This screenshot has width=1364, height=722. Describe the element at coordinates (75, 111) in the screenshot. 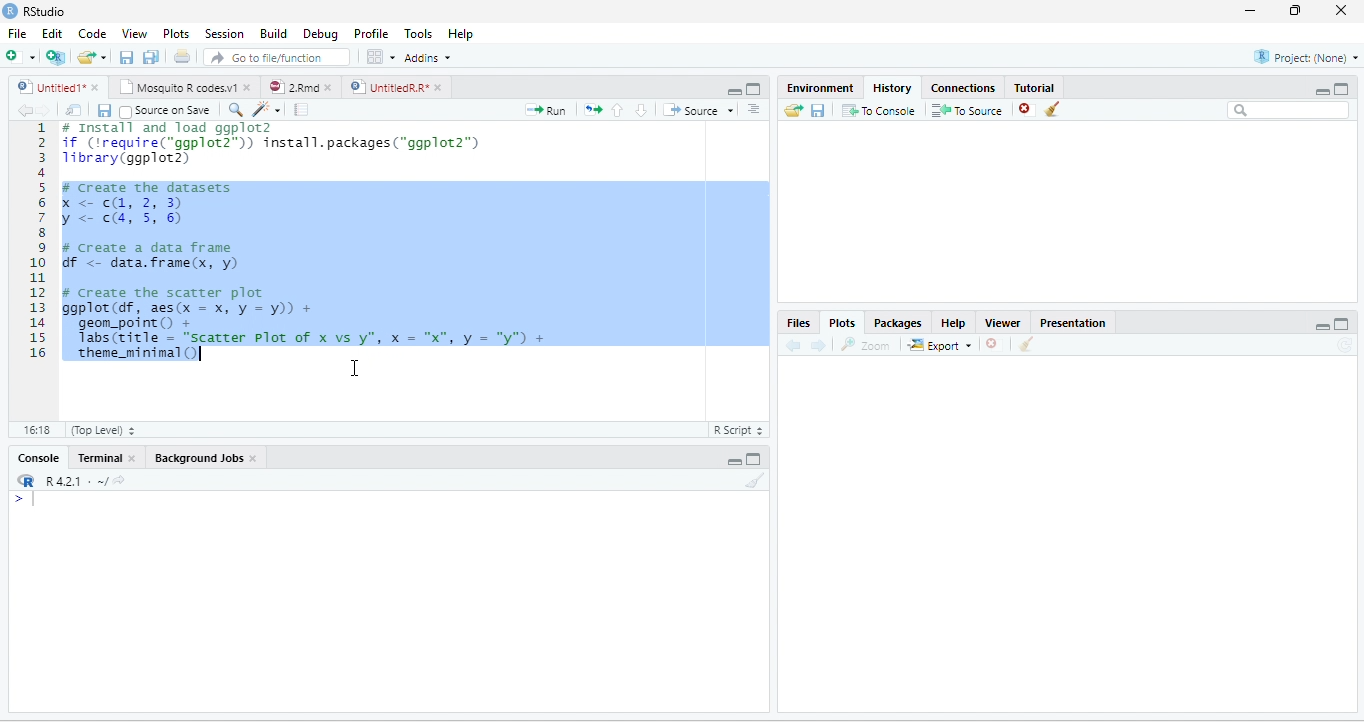

I see `Show in new window` at that location.